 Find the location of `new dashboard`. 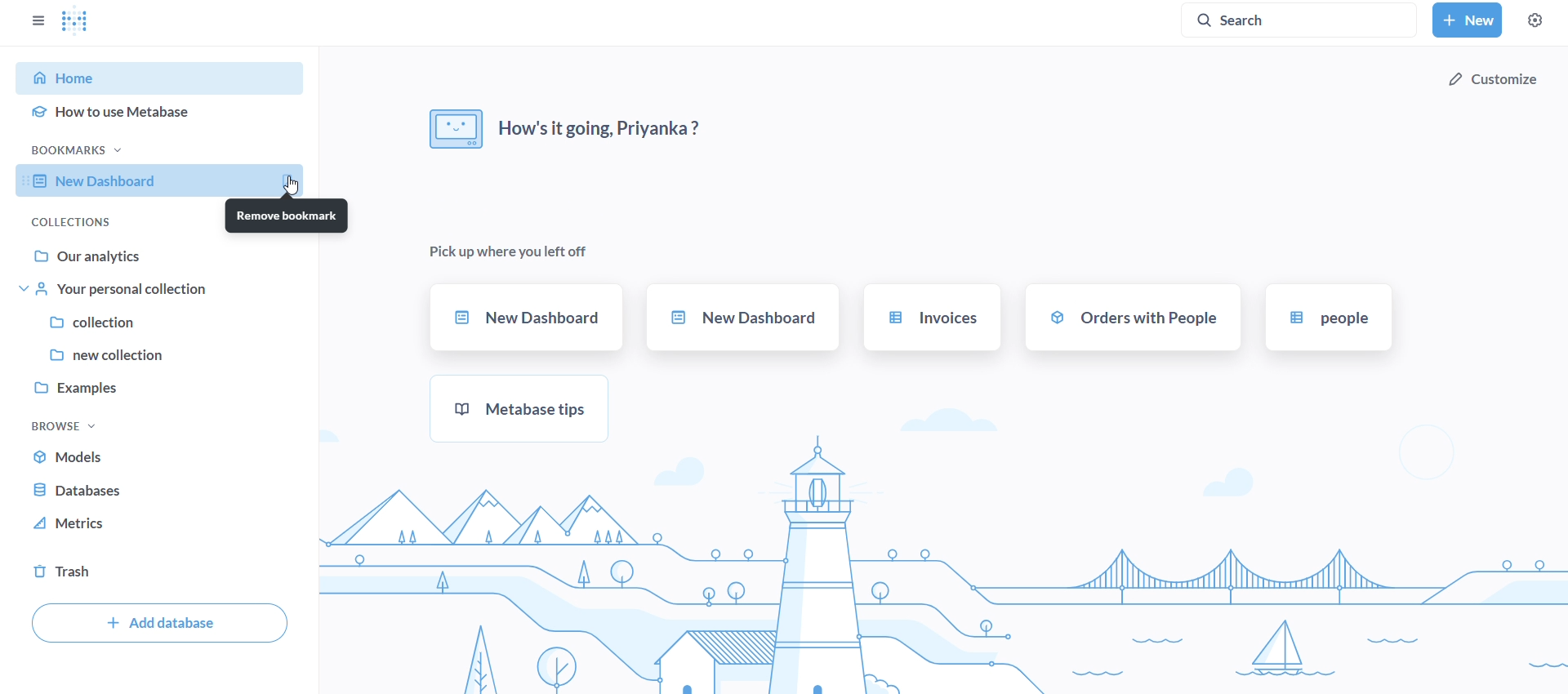

new dashboard is located at coordinates (742, 317).